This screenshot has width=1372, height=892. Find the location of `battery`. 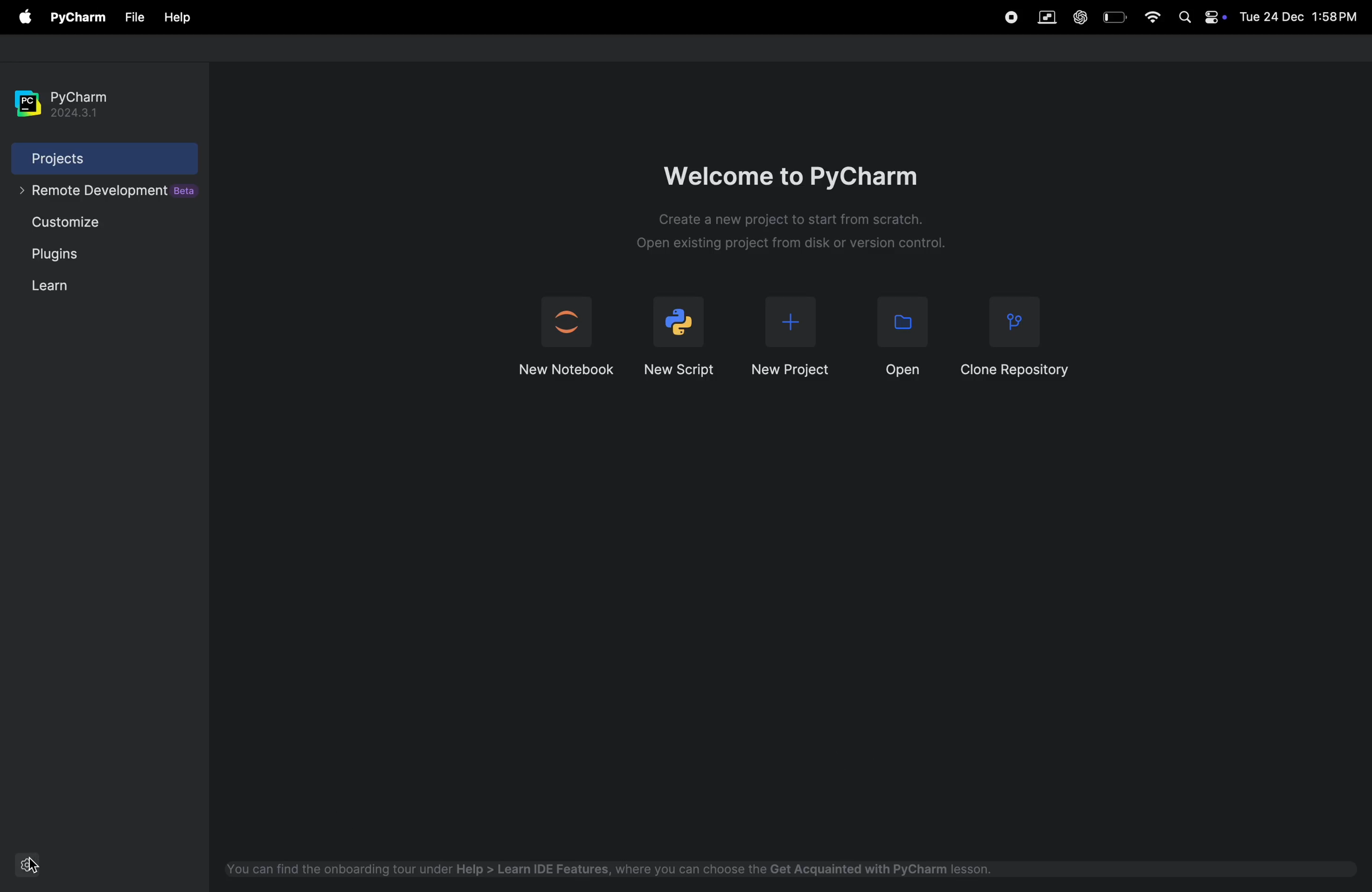

battery is located at coordinates (1114, 17).